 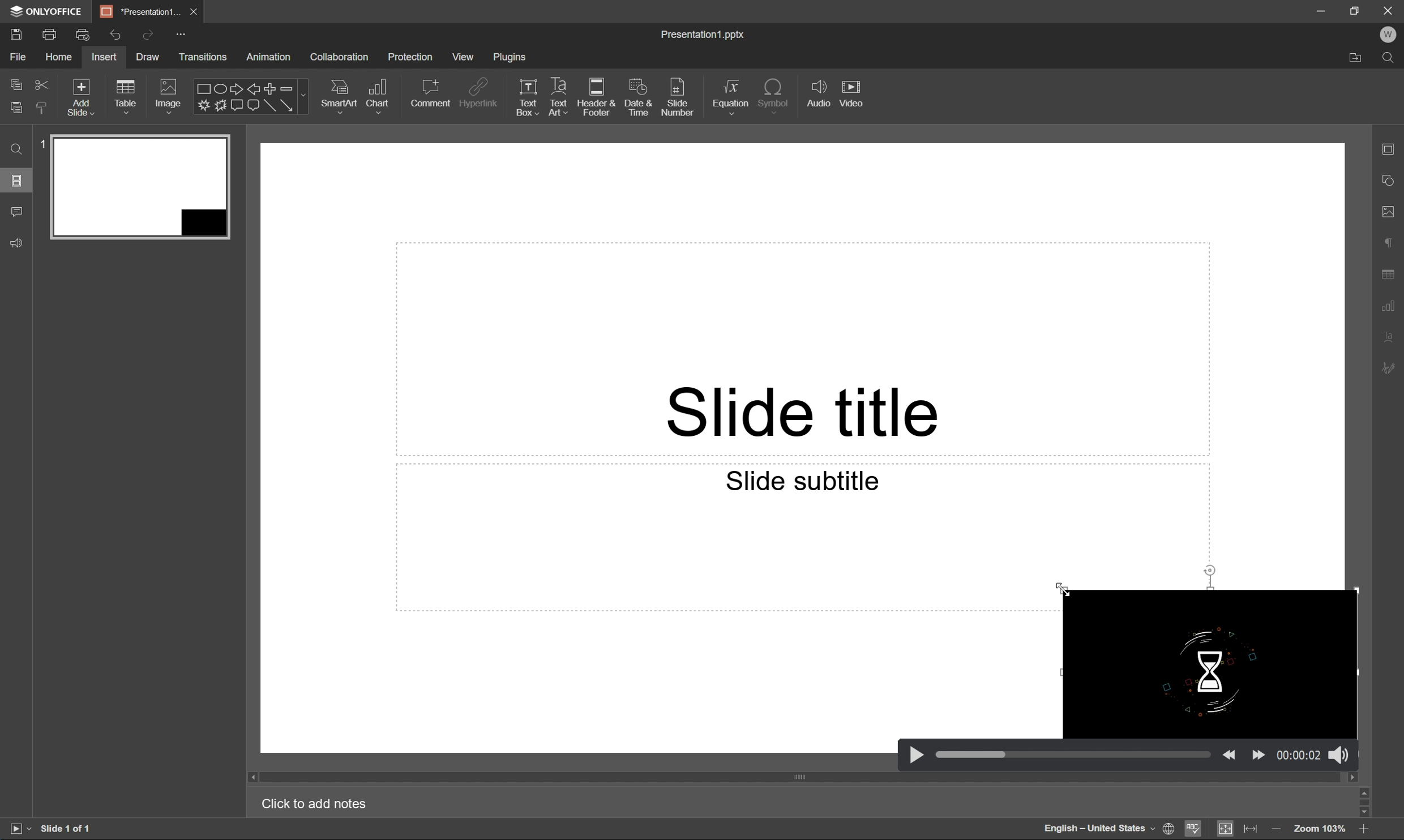 What do you see at coordinates (431, 94) in the screenshot?
I see `comment` at bounding box center [431, 94].